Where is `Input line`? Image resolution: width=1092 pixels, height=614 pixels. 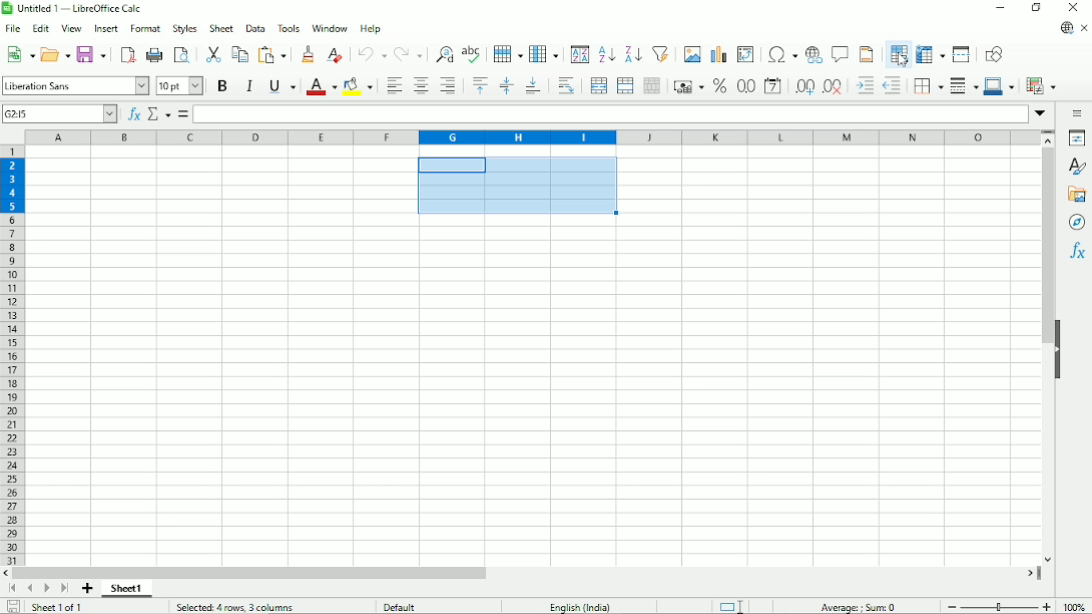 Input line is located at coordinates (610, 114).